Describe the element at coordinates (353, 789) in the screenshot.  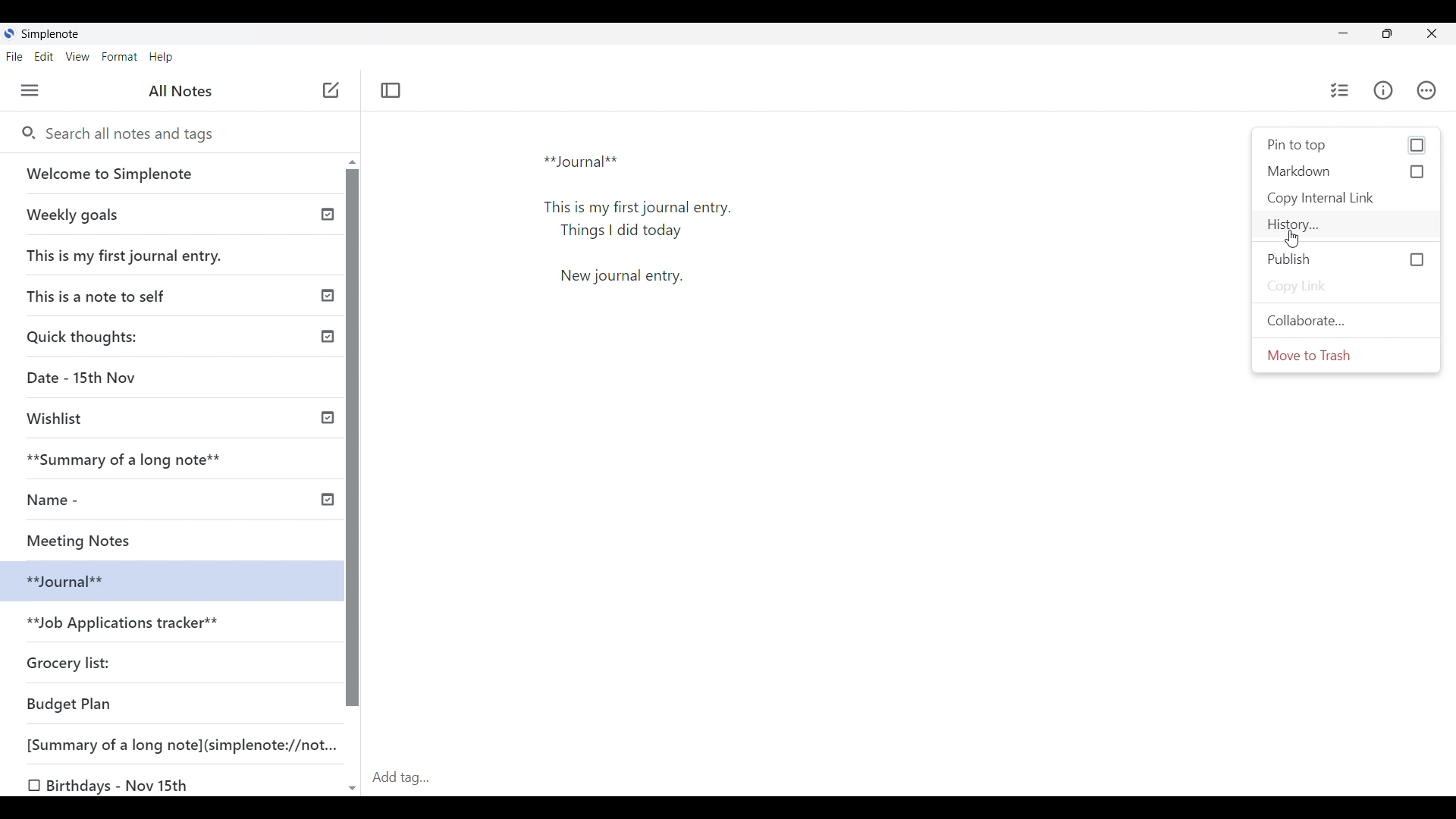
I see `Quick slide to bottom` at that location.